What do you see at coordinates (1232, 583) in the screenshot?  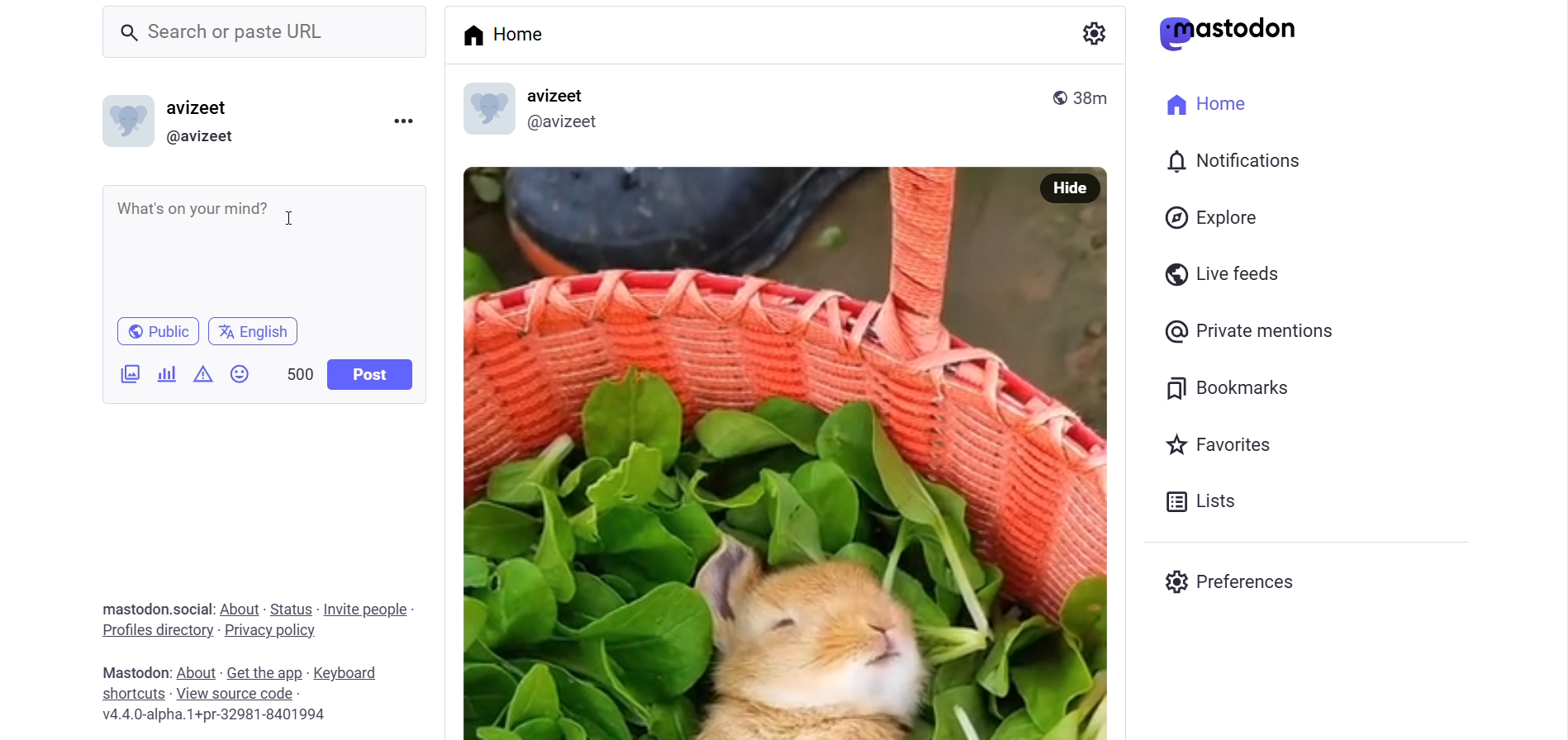 I see `Preferences` at bounding box center [1232, 583].